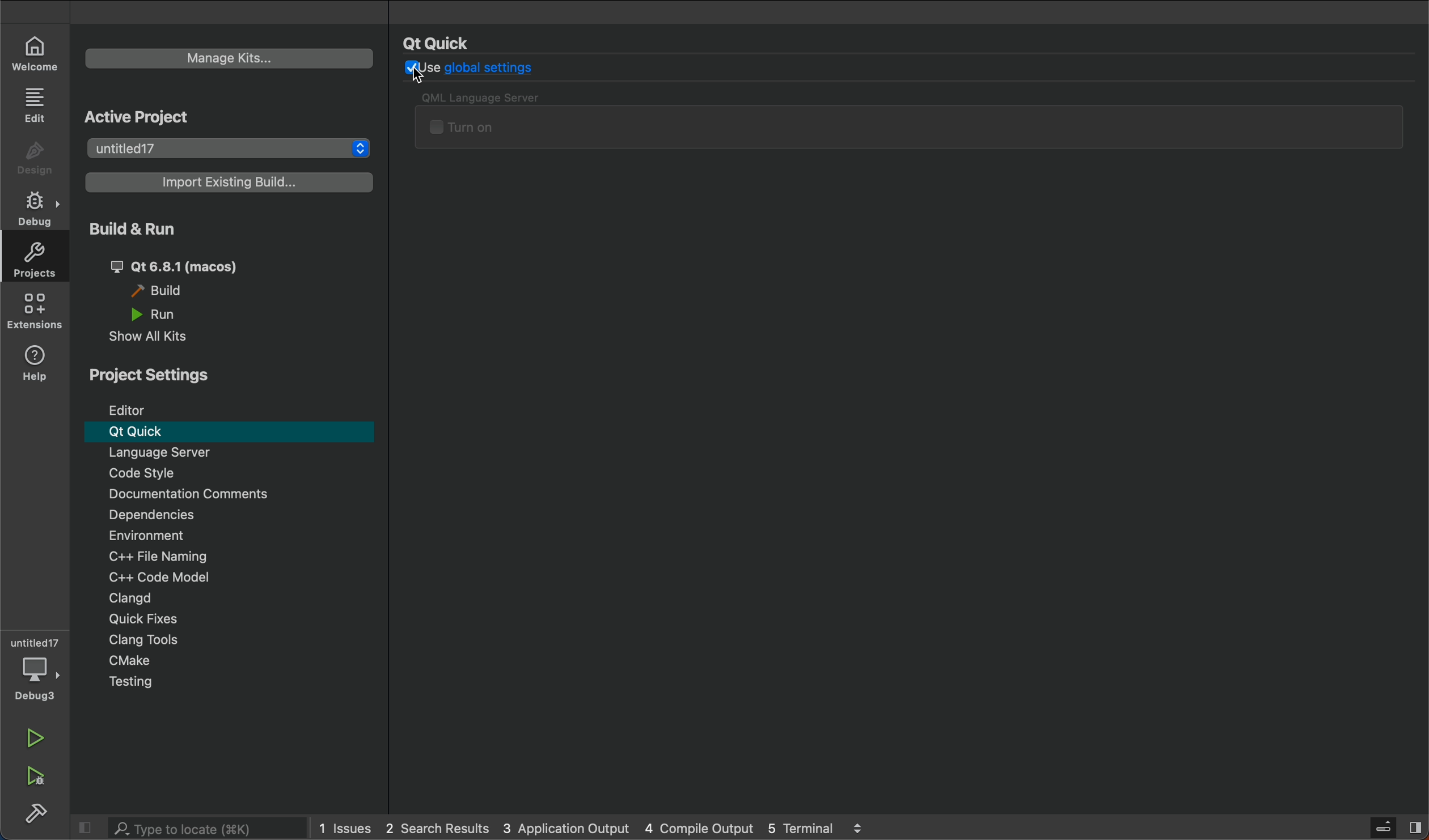 The image size is (1429, 840). I want to click on projects Settings, so click(159, 378).